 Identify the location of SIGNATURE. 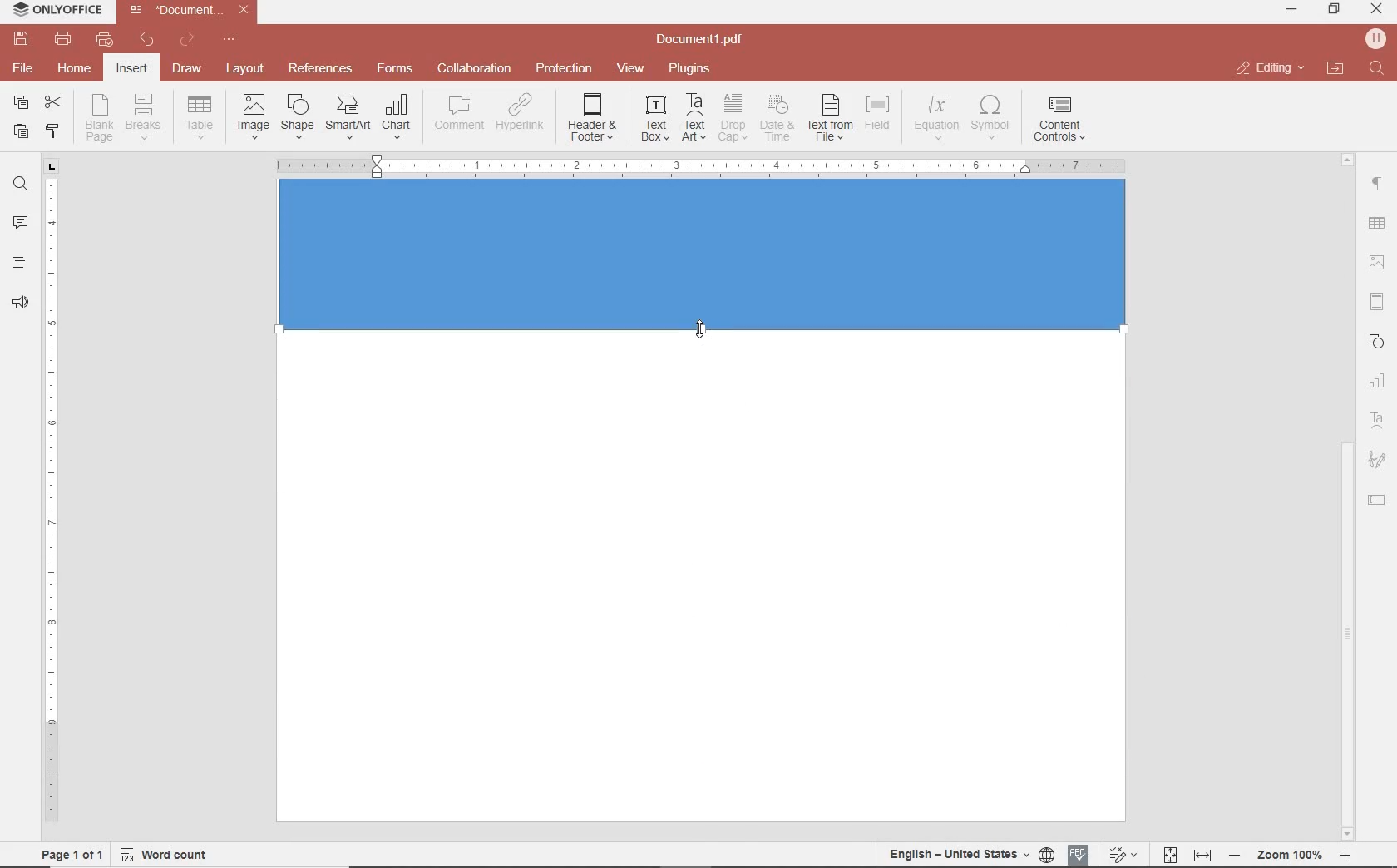
(1377, 461).